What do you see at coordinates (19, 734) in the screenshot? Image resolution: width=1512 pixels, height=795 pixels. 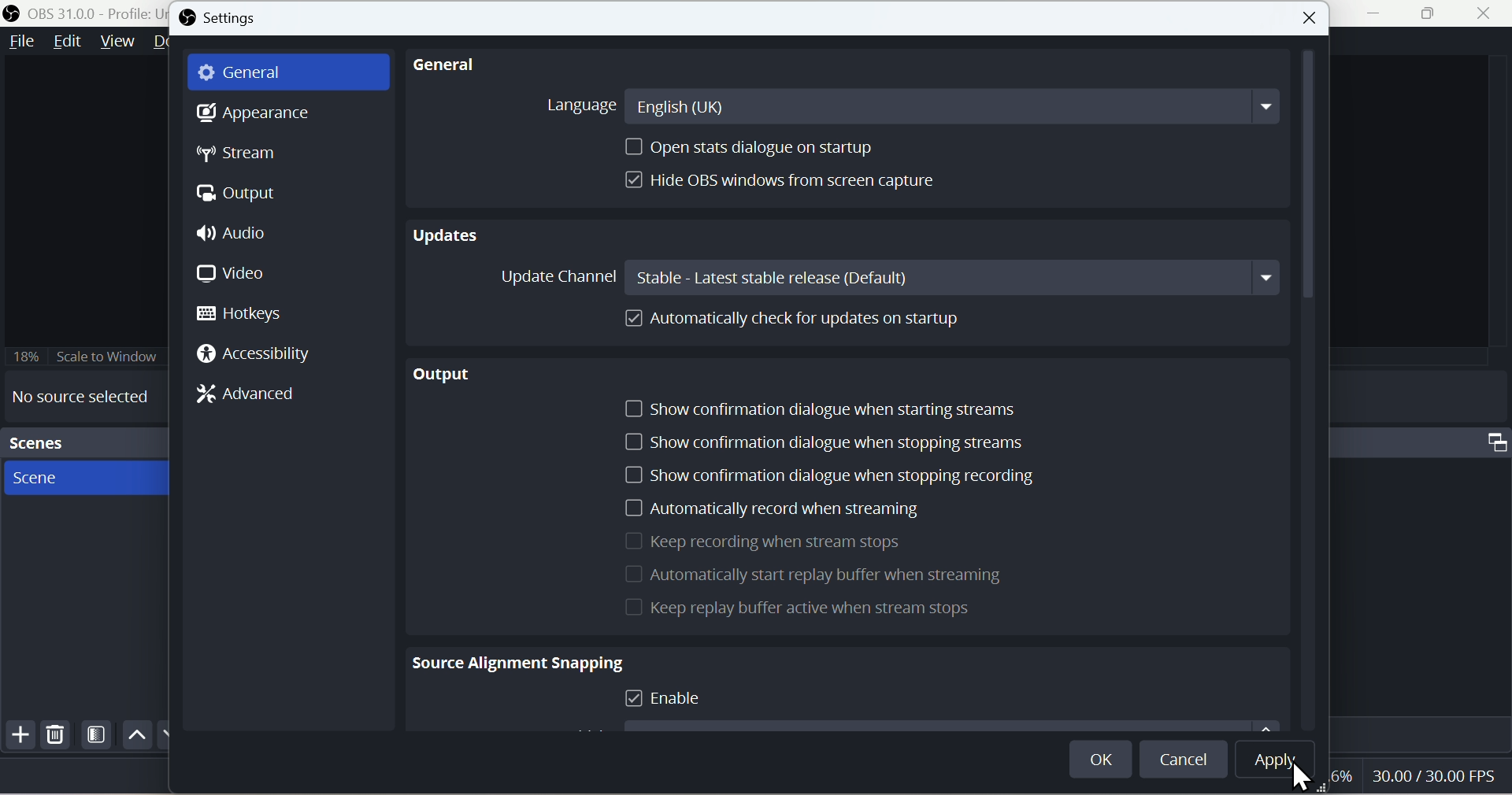 I see `Add file` at bounding box center [19, 734].